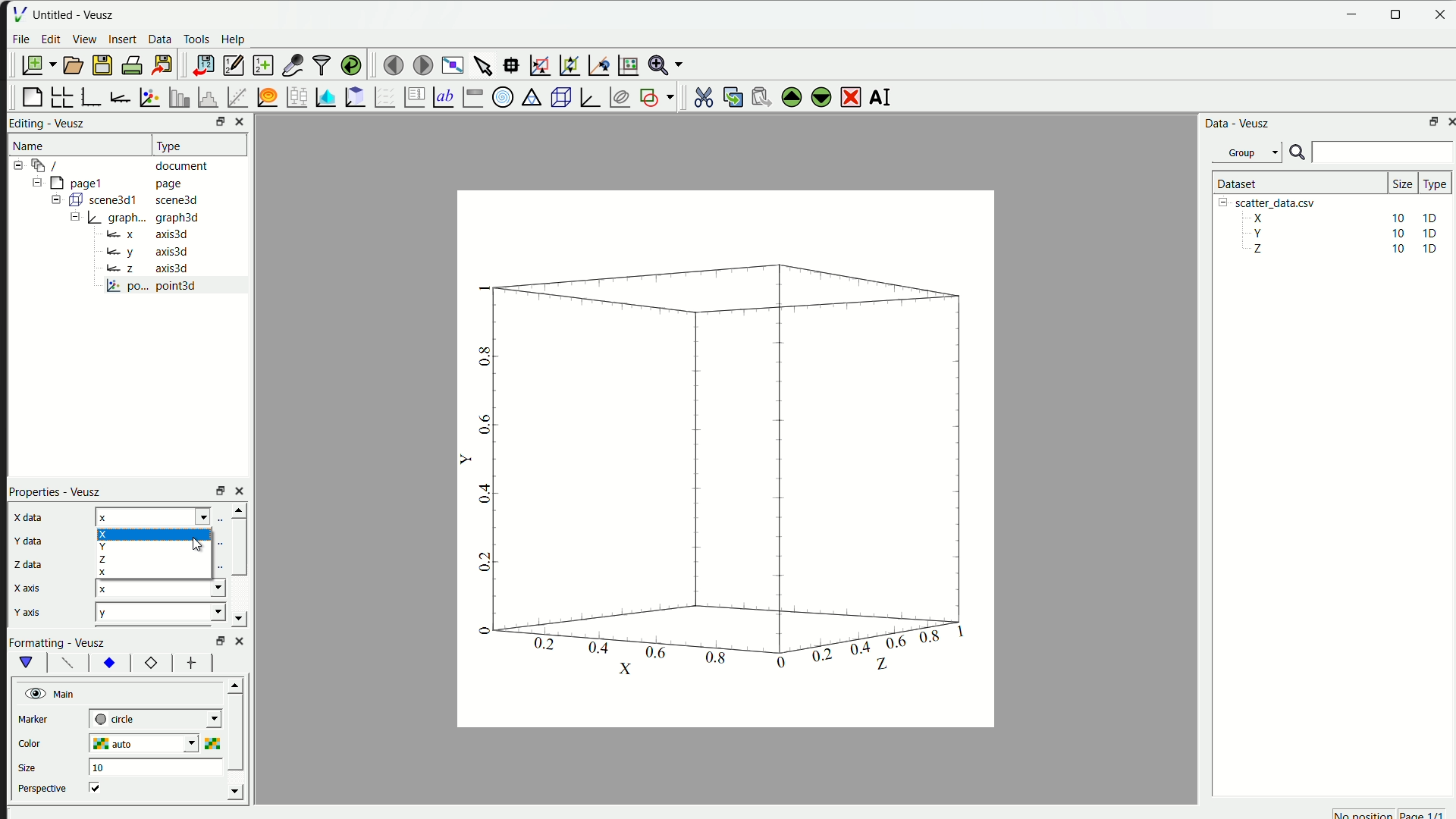 The image size is (1456, 819). I want to click on plot a vector field, so click(382, 97).